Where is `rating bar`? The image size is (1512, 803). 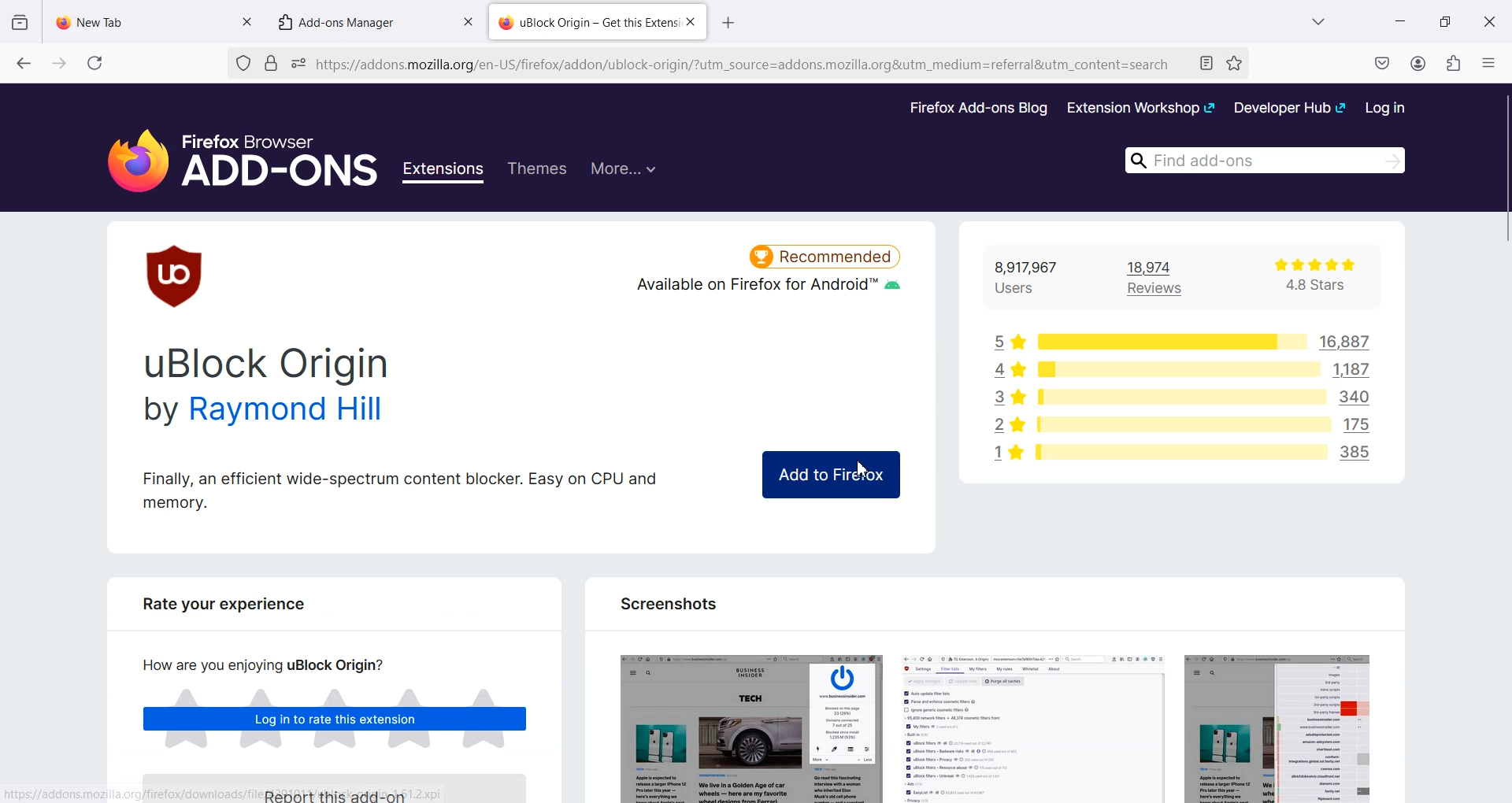
rating bar is located at coordinates (1180, 451).